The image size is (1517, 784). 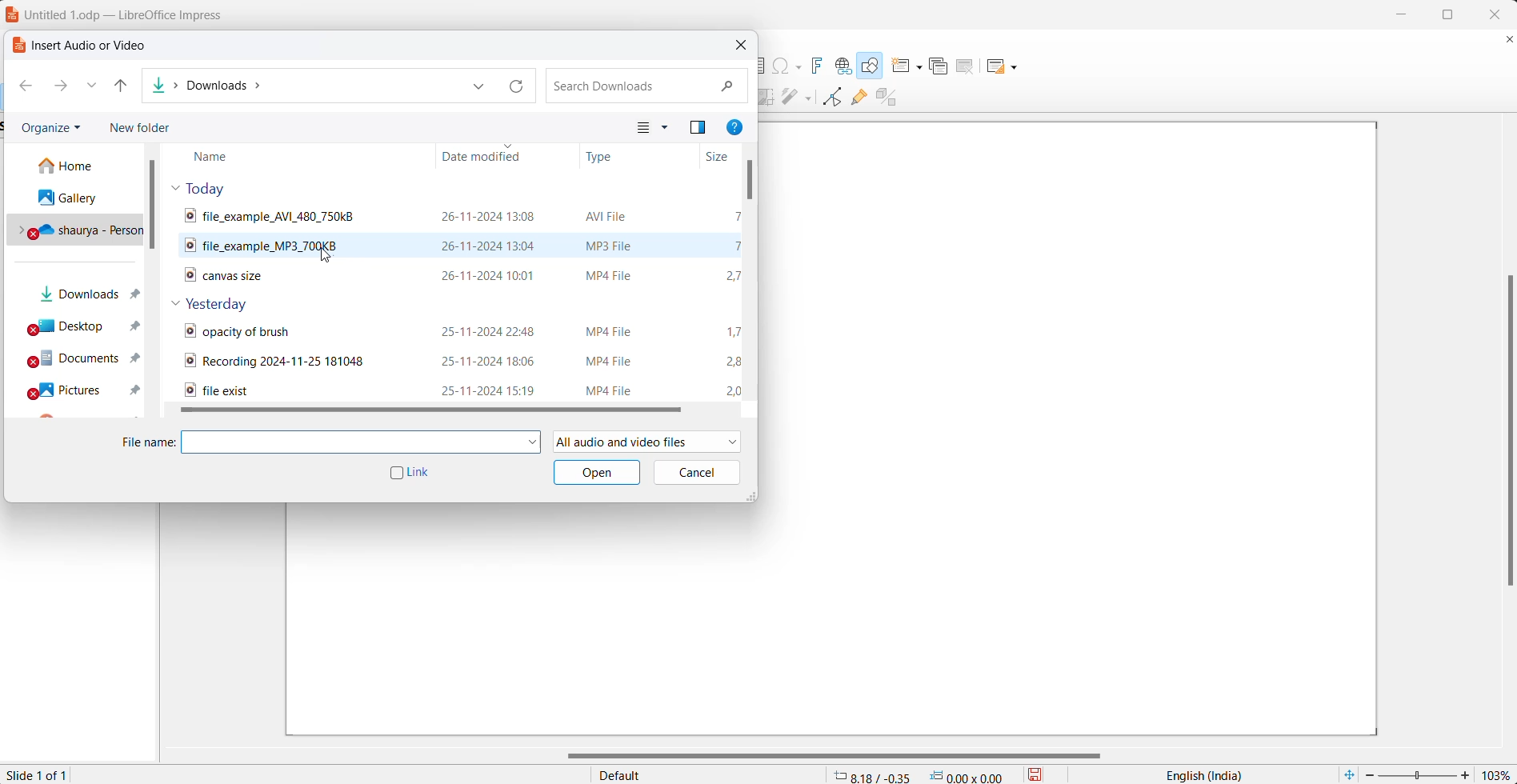 What do you see at coordinates (410, 474) in the screenshot?
I see `link checkbox` at bounding box center [410, 474].